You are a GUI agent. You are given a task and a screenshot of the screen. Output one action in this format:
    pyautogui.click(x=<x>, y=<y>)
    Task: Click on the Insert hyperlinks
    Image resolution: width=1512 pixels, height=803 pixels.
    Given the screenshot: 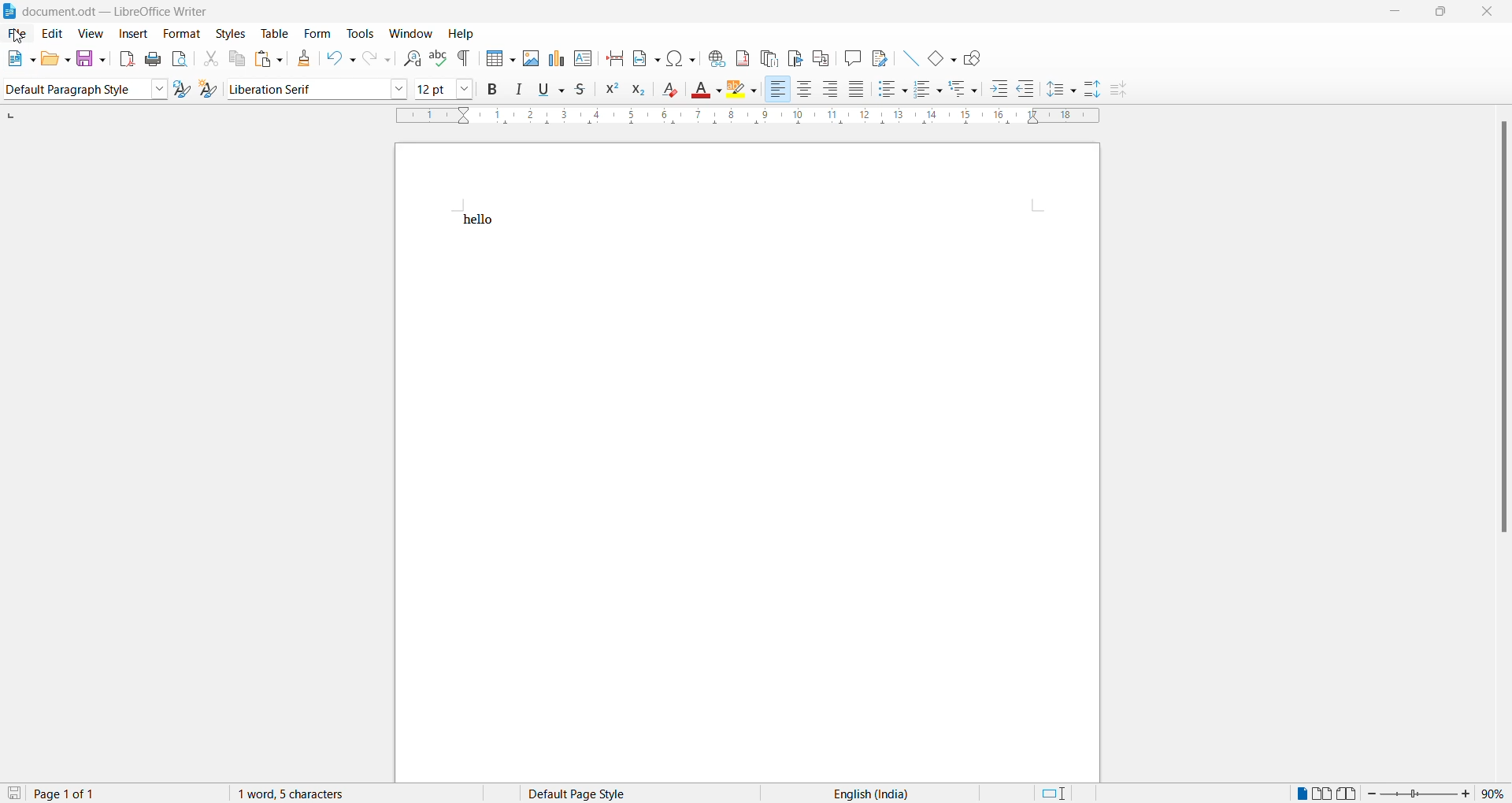 What is the action you would take?
    pyautogui.click(x=714, y=57)
    